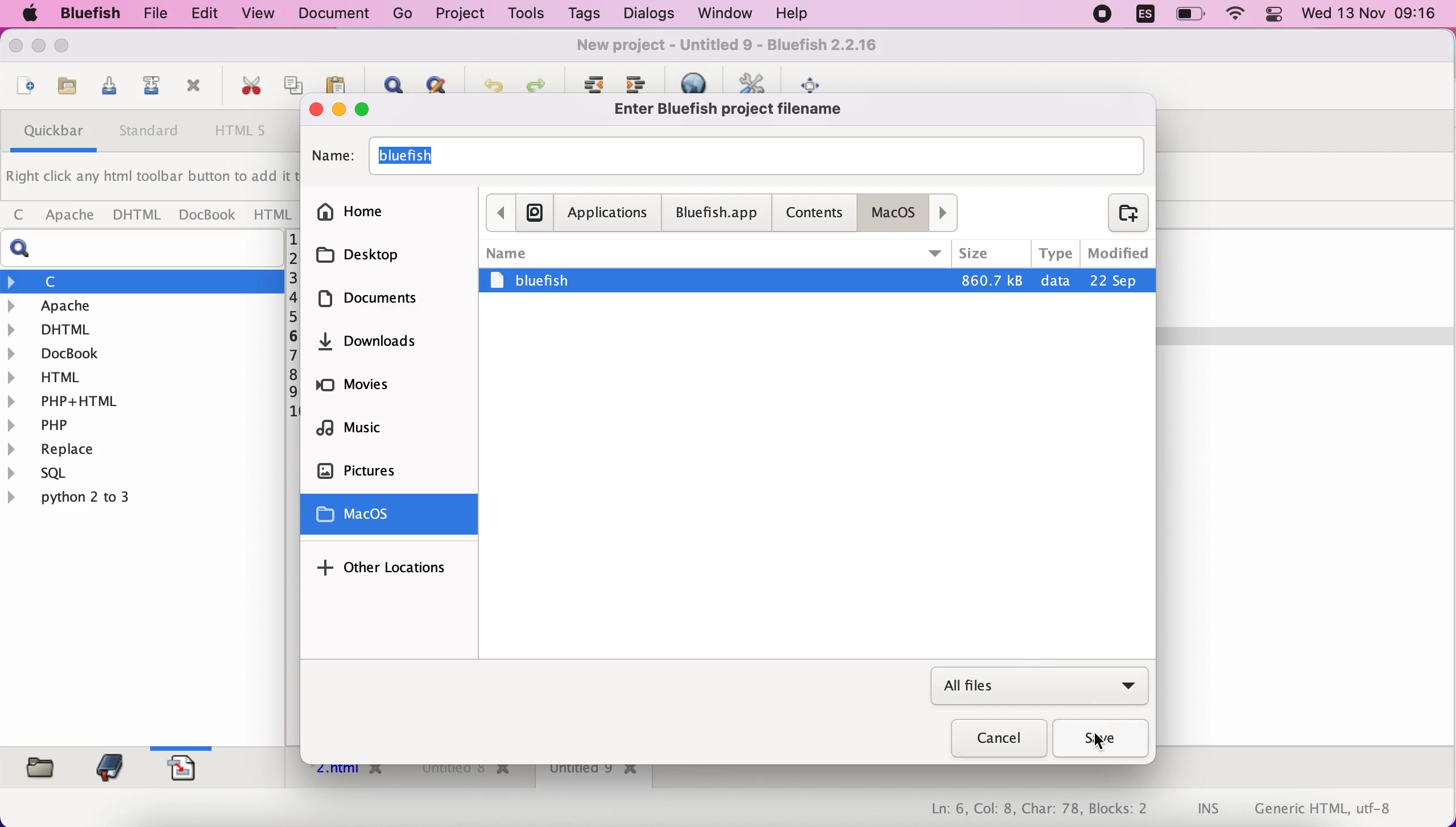  I want to click on view, so click(259, 13).